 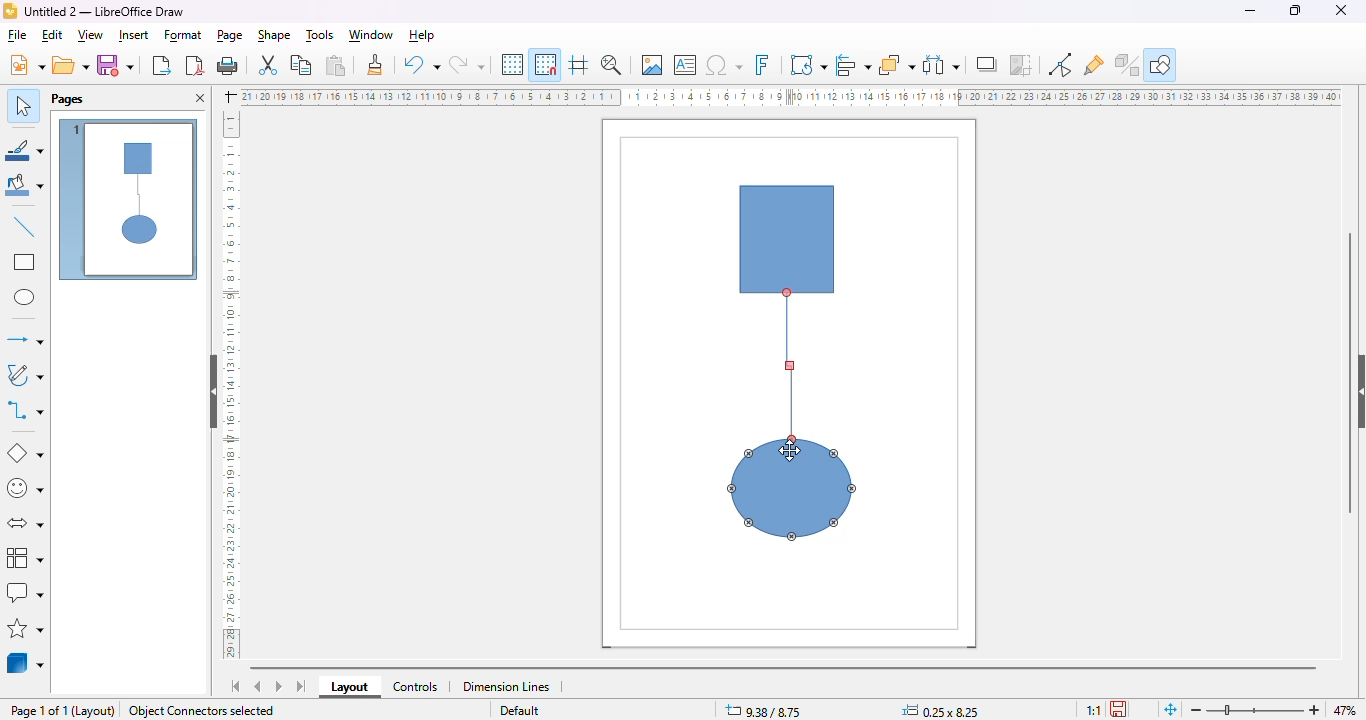 What do you see at coordinates (231, 385) in the screenshot?
I see `ruler` at bounding box center [231, 385].